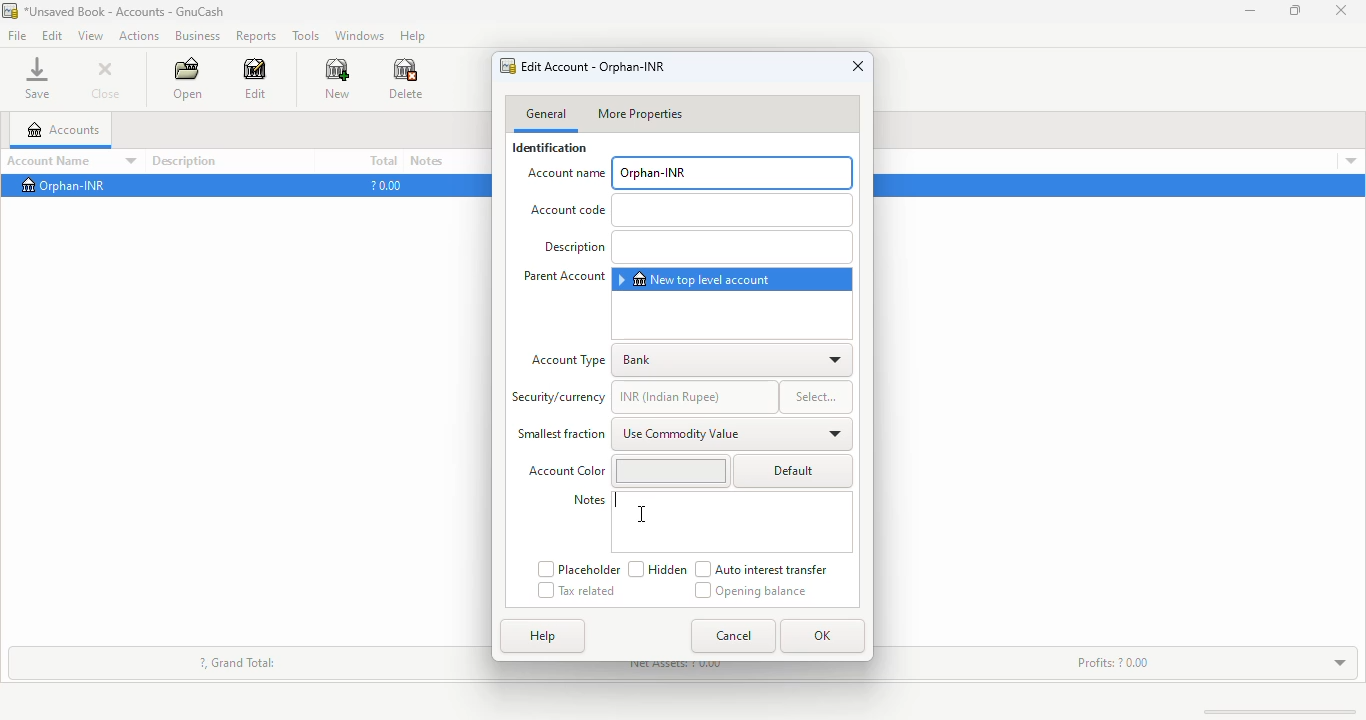  I want to click on delete, so click(406, 78).